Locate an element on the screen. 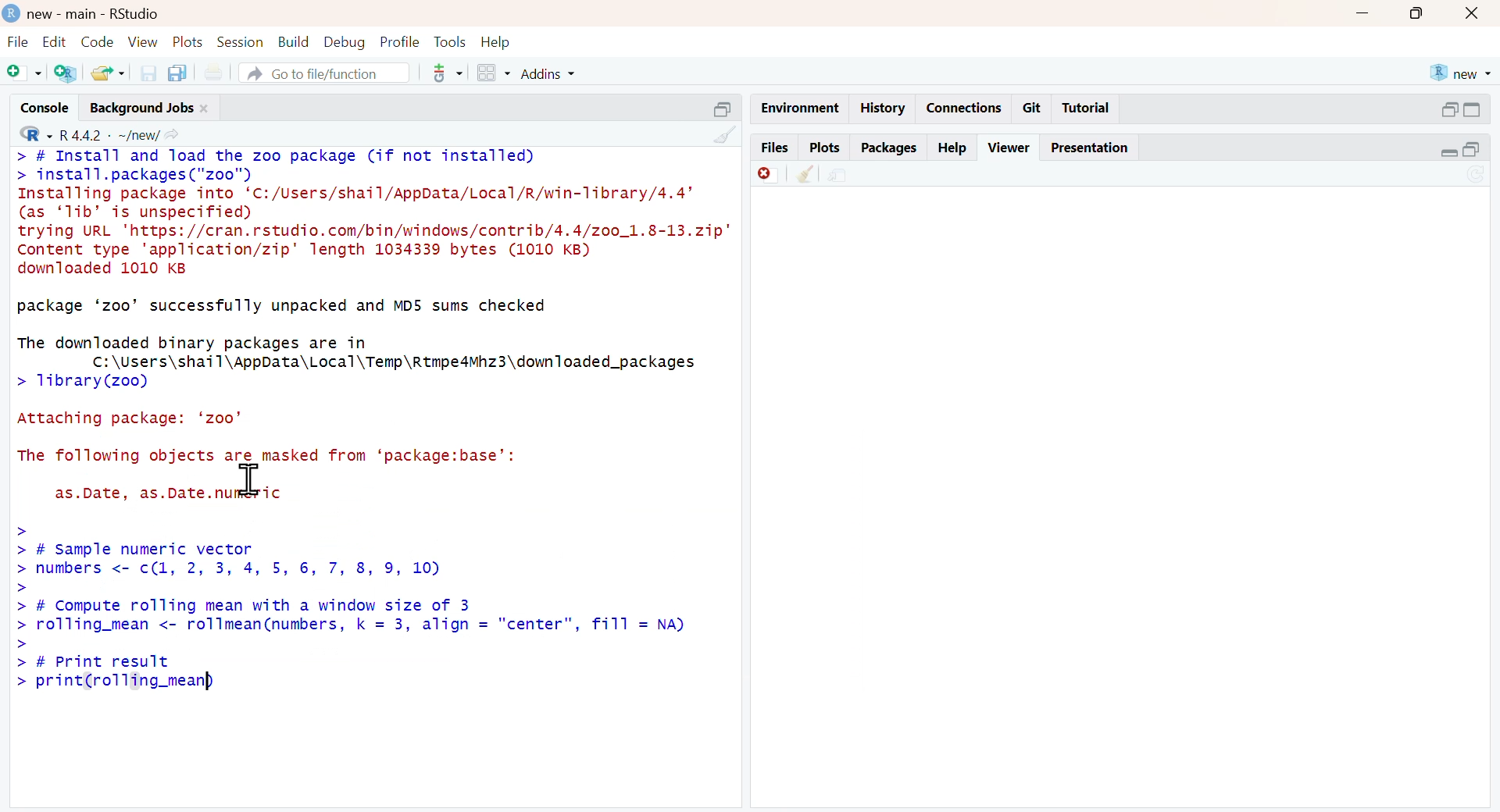 The height and width of the screenshot is (812, 1500). open in separate window is located at coordinates (1450, 109).